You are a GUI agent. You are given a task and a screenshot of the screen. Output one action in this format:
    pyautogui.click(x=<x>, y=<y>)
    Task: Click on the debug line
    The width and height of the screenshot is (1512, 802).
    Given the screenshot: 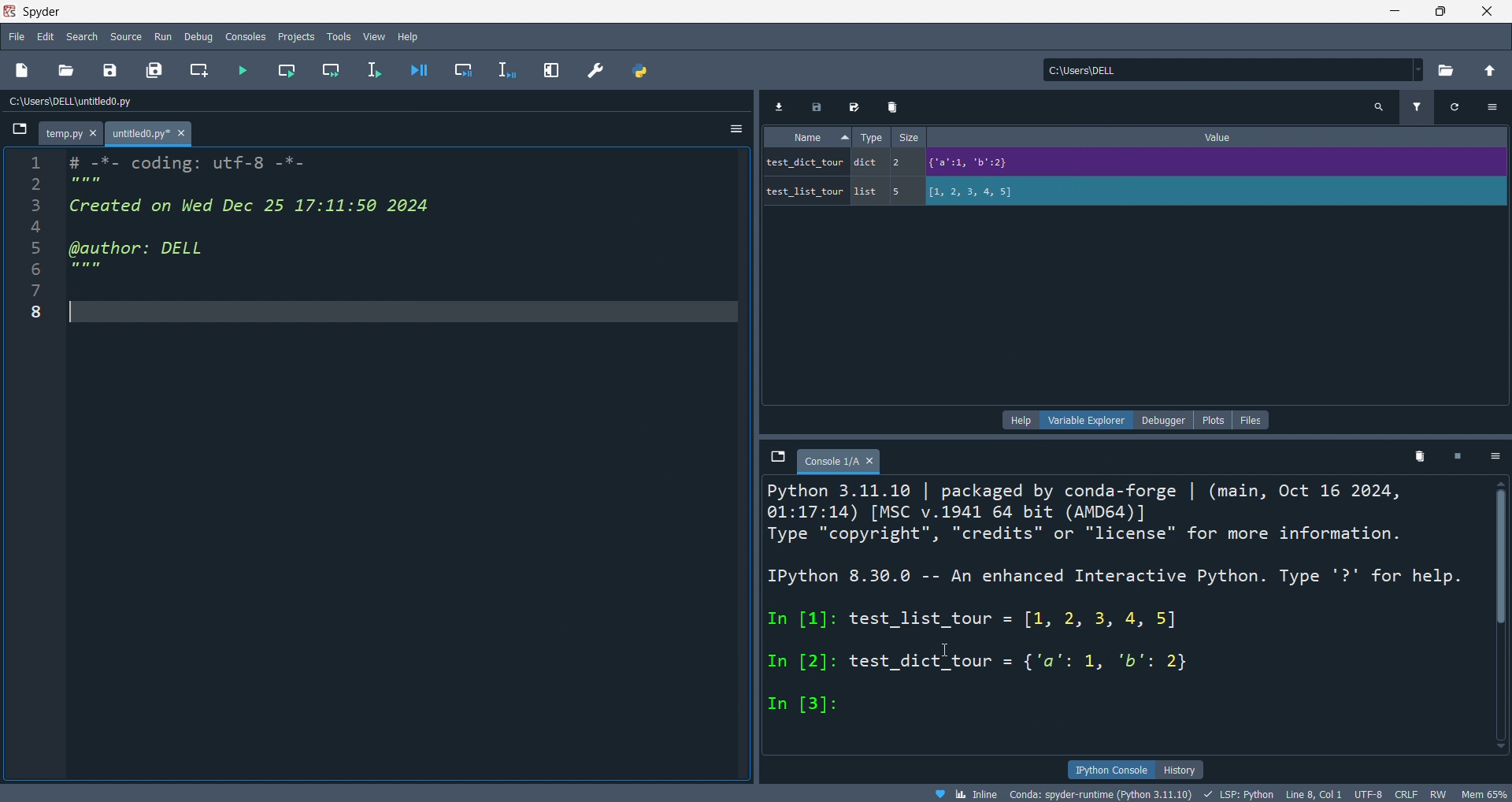 What is the action you would take?
    pyautogui.click(x=505, y=70)
    